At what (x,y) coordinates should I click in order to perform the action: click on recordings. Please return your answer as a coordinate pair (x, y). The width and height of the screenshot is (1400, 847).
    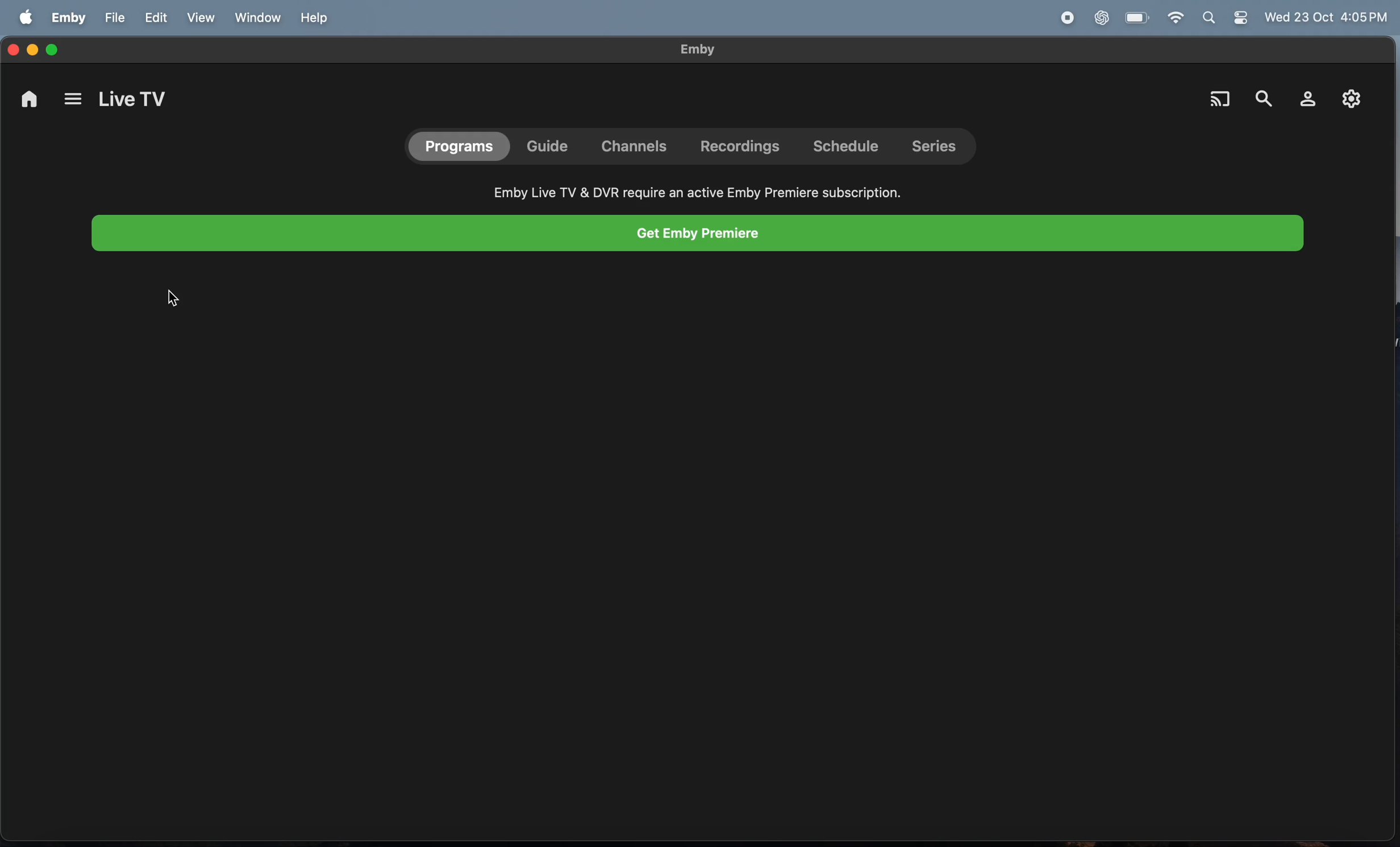
    Looking at the image, I should click on (744, 147).